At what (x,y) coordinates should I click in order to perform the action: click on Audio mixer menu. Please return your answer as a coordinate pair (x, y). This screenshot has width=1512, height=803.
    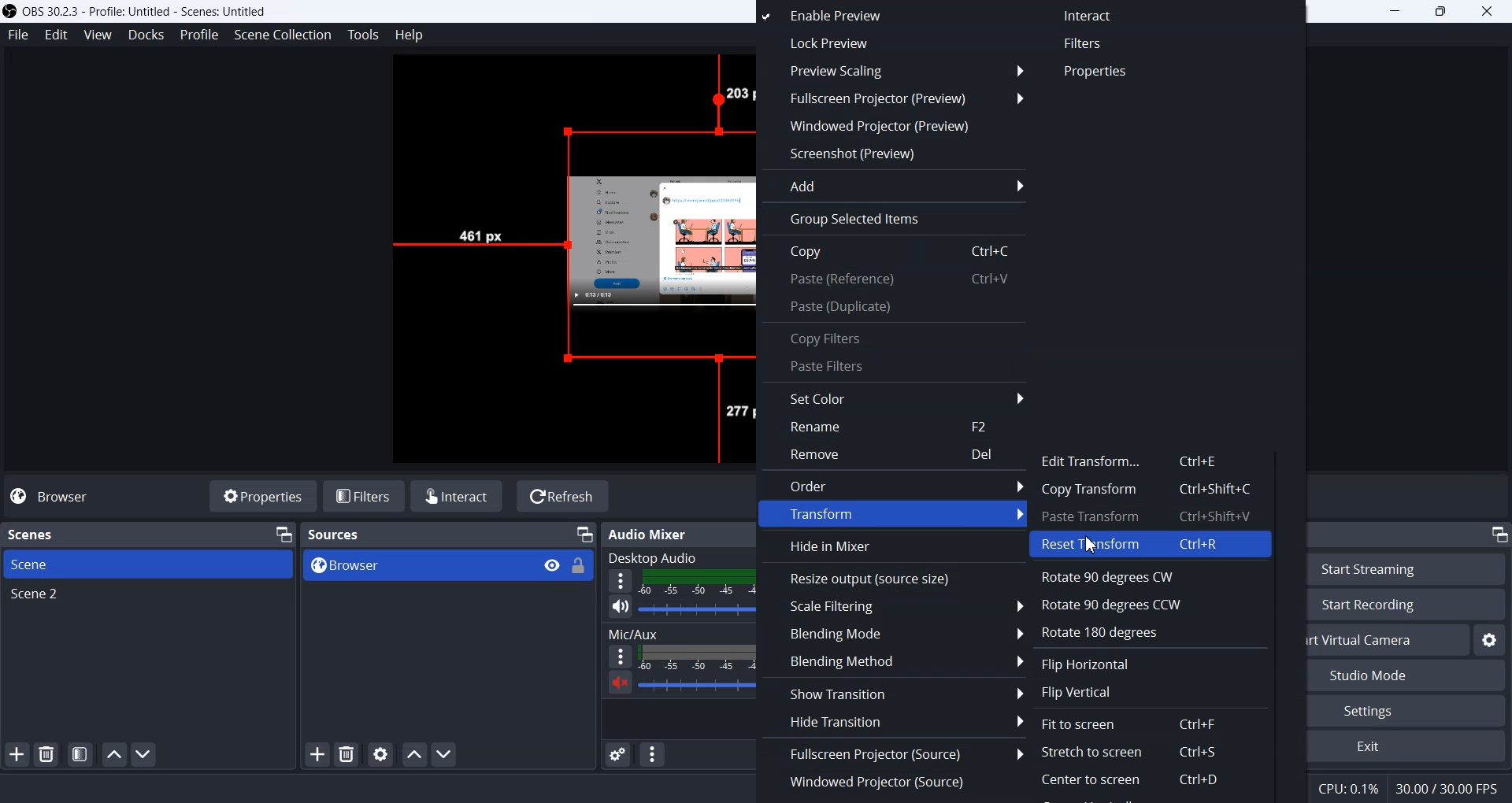
    Looking at the image, I should click on (651, 754).